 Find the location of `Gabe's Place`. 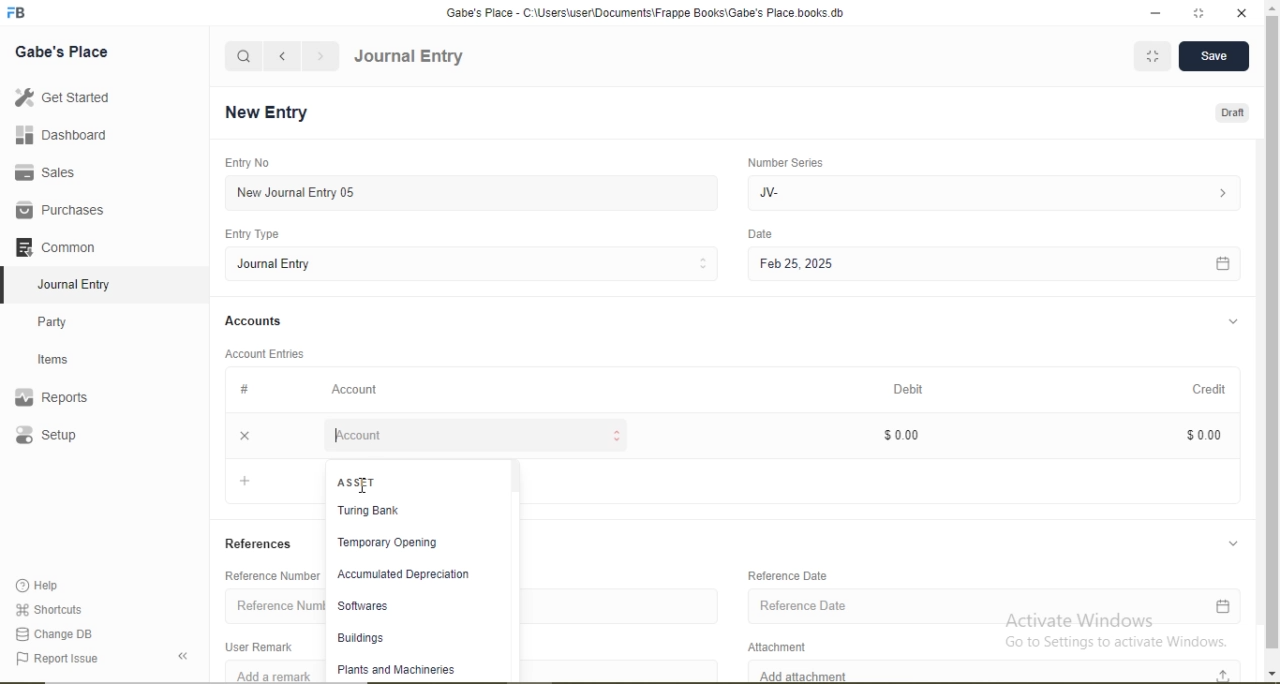

Gabe's Place is located at coordinates (64, 51).